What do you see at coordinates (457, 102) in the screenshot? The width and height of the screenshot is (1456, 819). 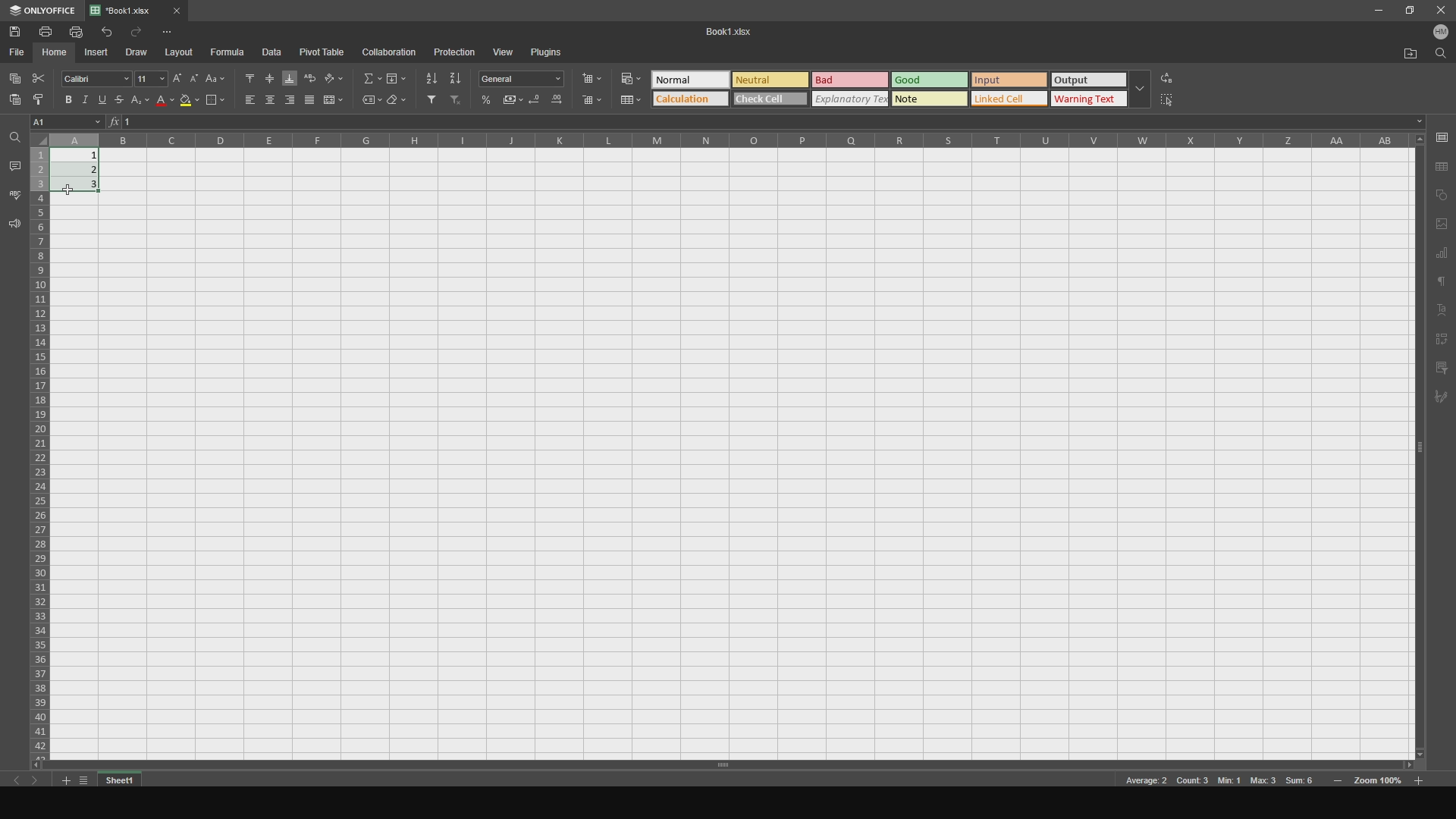 I see `deselect filter` at bounding box center [457, 102].